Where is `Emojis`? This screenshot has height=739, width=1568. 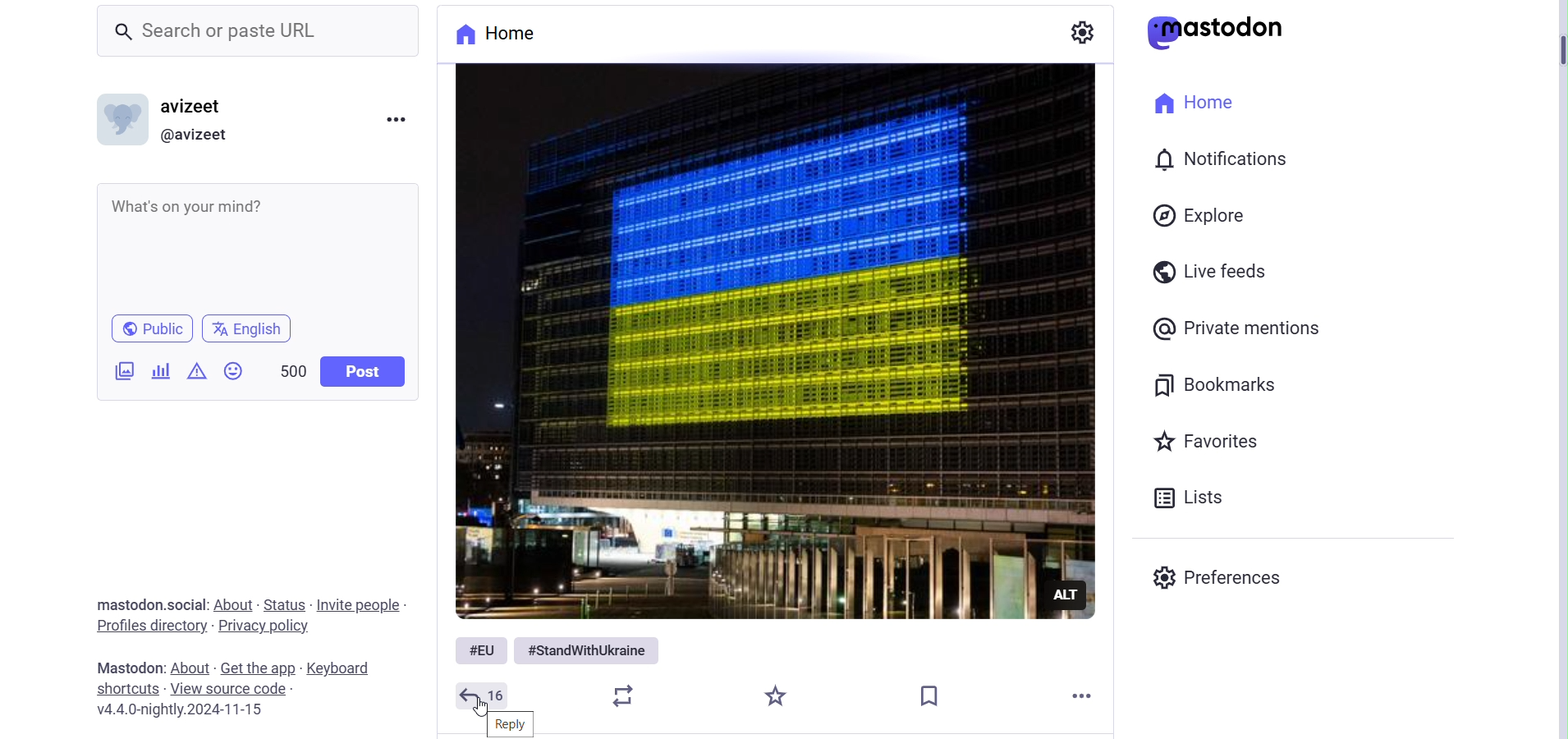
Emojis is located at coordinates (234, 371).